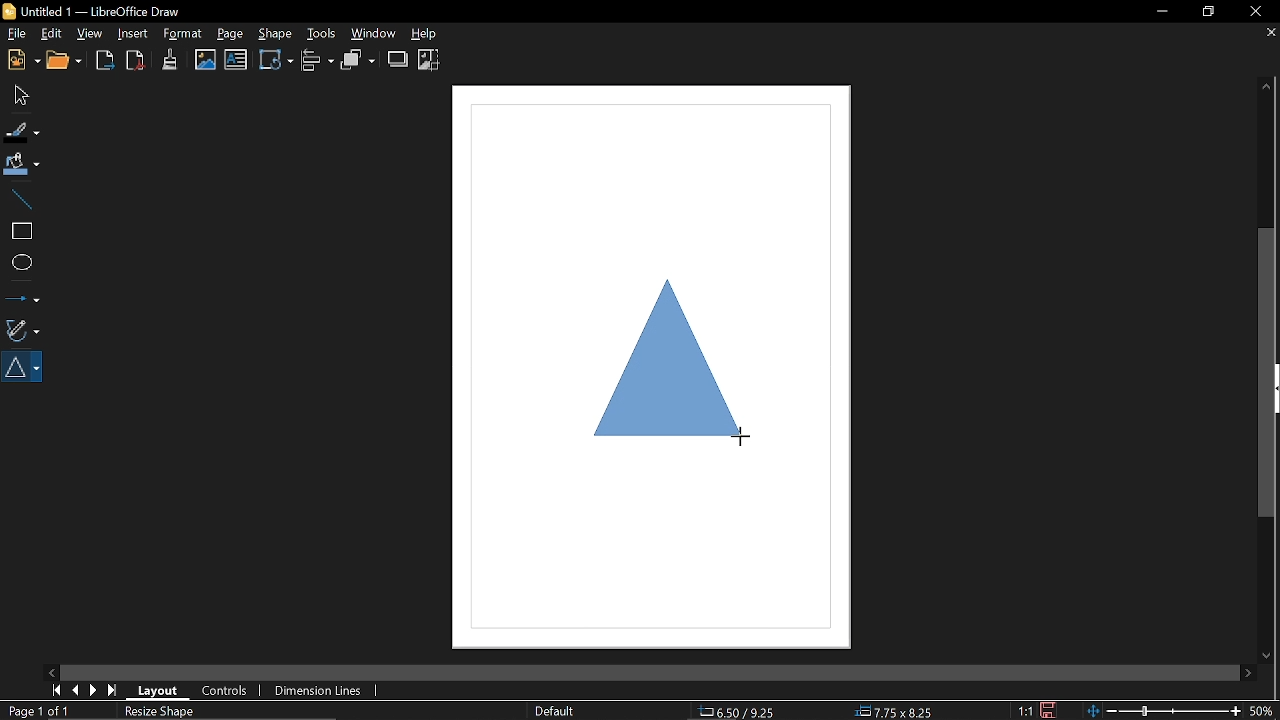 The height and width of the screenshot is (720, 1280). What do you see at coordinates (1267, 86) in the screenshot?
I see `Move up` at bounding box center [1267, 86].